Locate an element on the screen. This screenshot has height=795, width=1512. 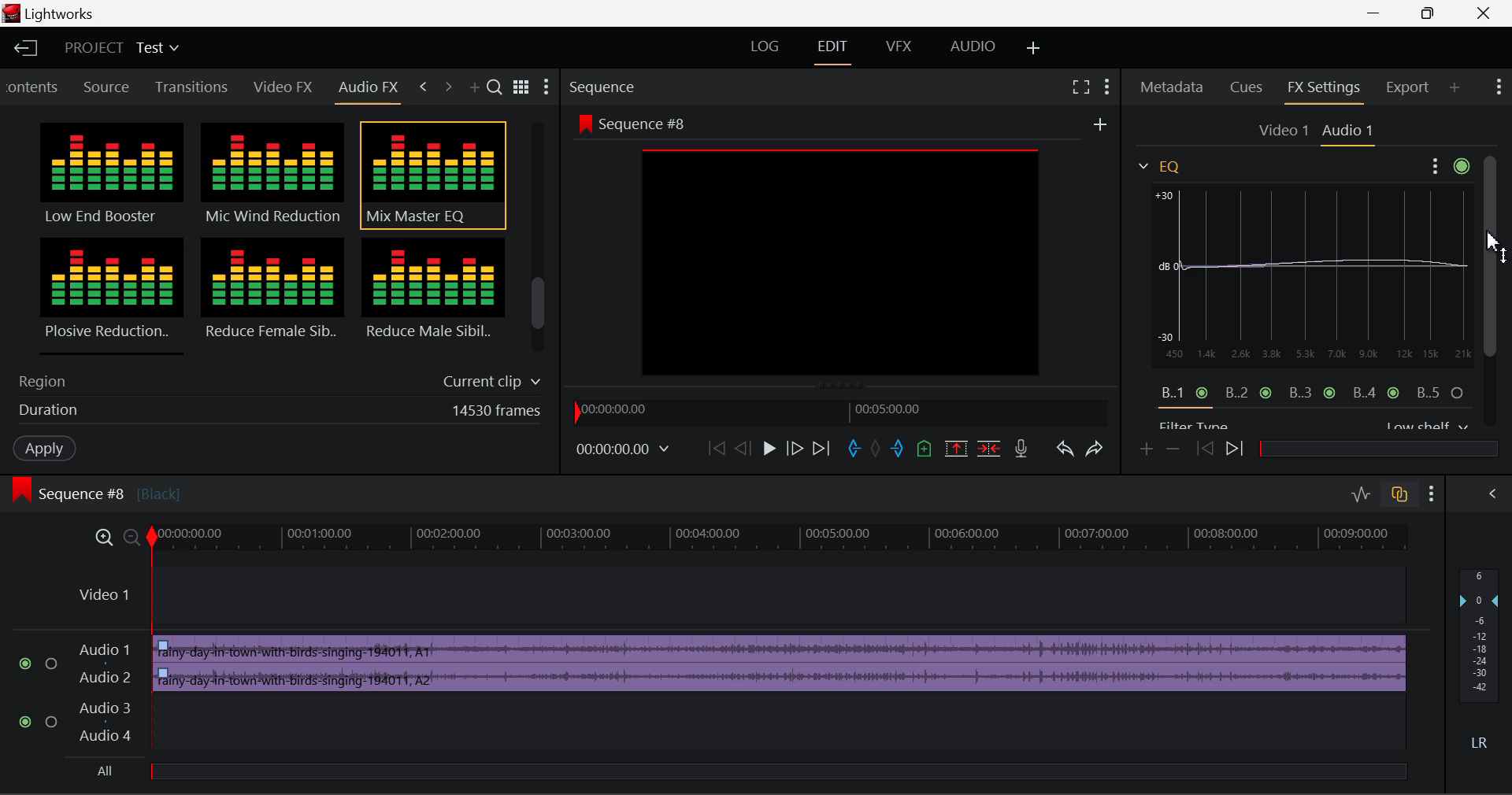
Apply is located at coordinates (44, 449).